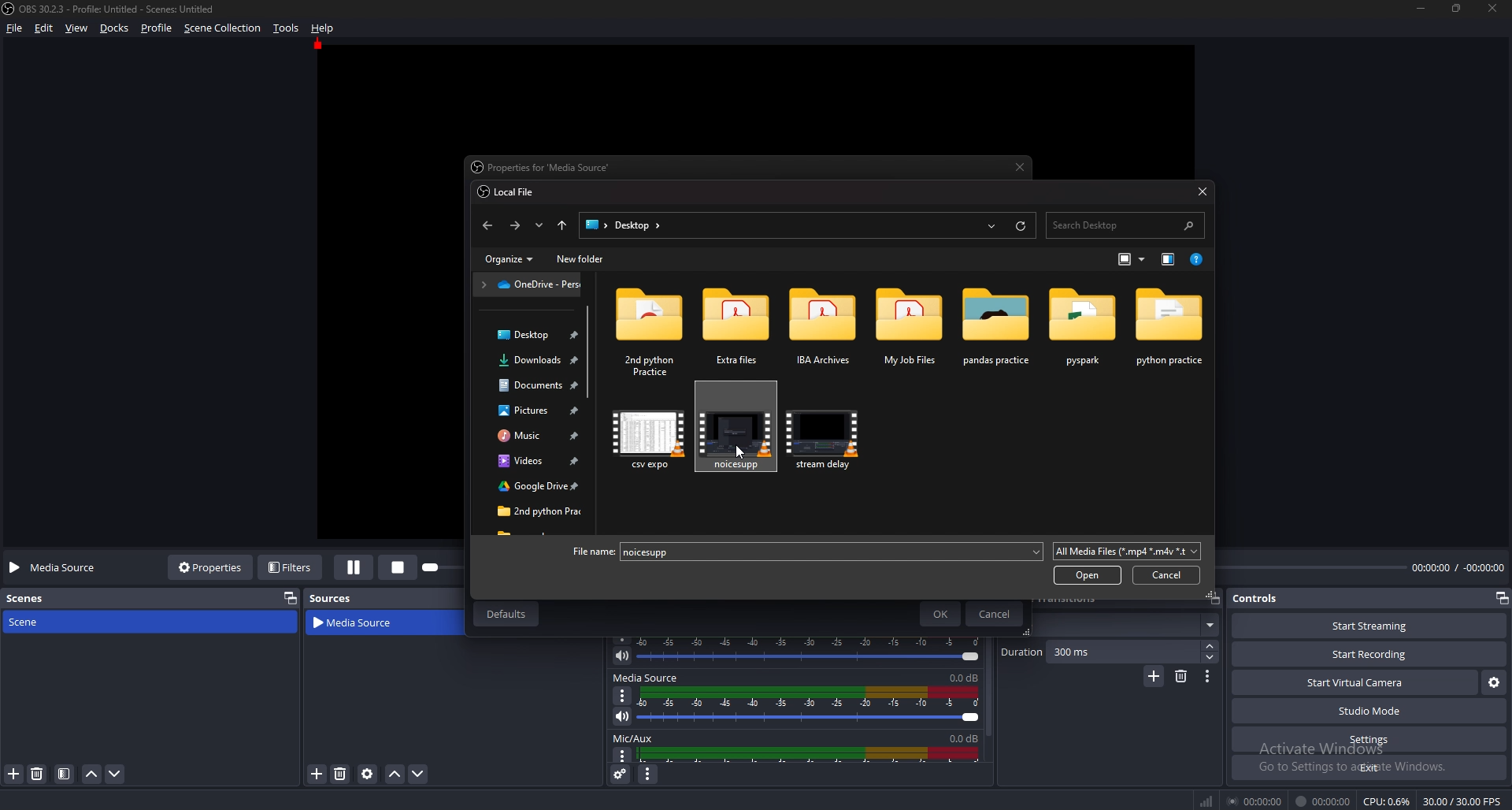 The image size is (1512, 810). Describe the element at coordinates (510, 192) in the screenshot. I see `Local file` at that location.